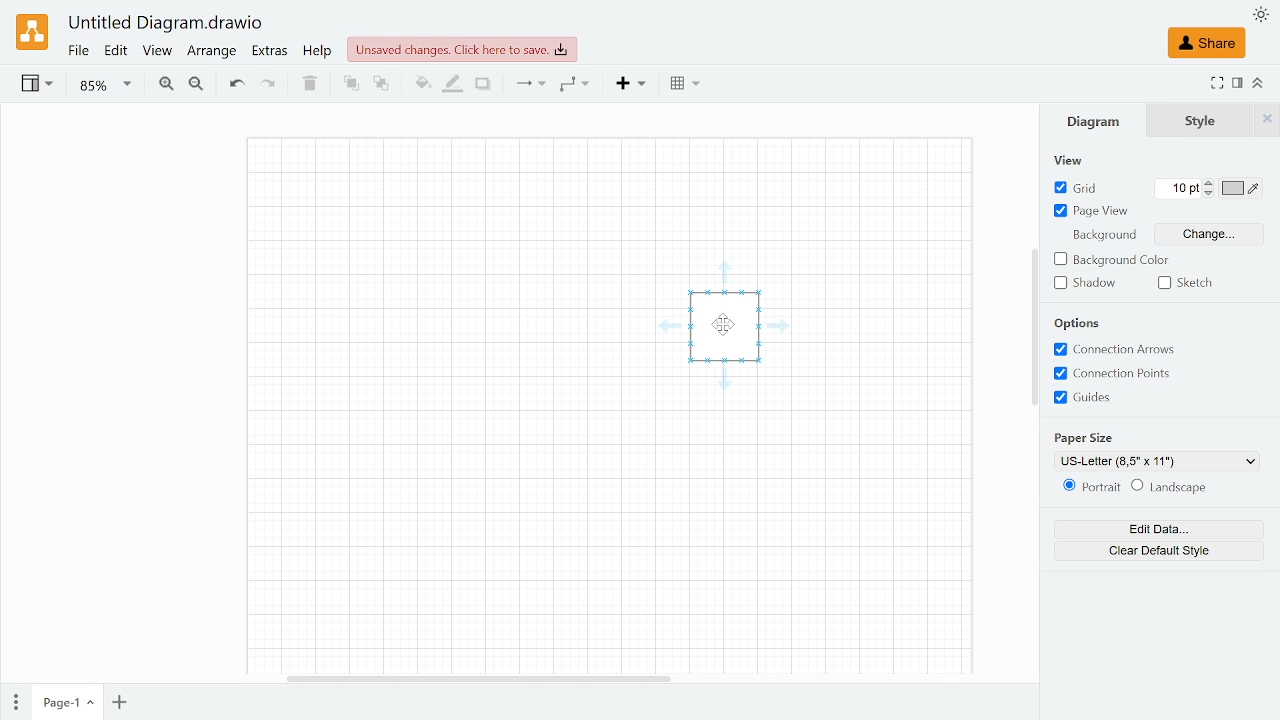 This screenshot has height=720, width=1280. What do you see at coordinates (1216, 85) in the screenshot?
I see `Fullscreen` at bounding box center [1216, 85].